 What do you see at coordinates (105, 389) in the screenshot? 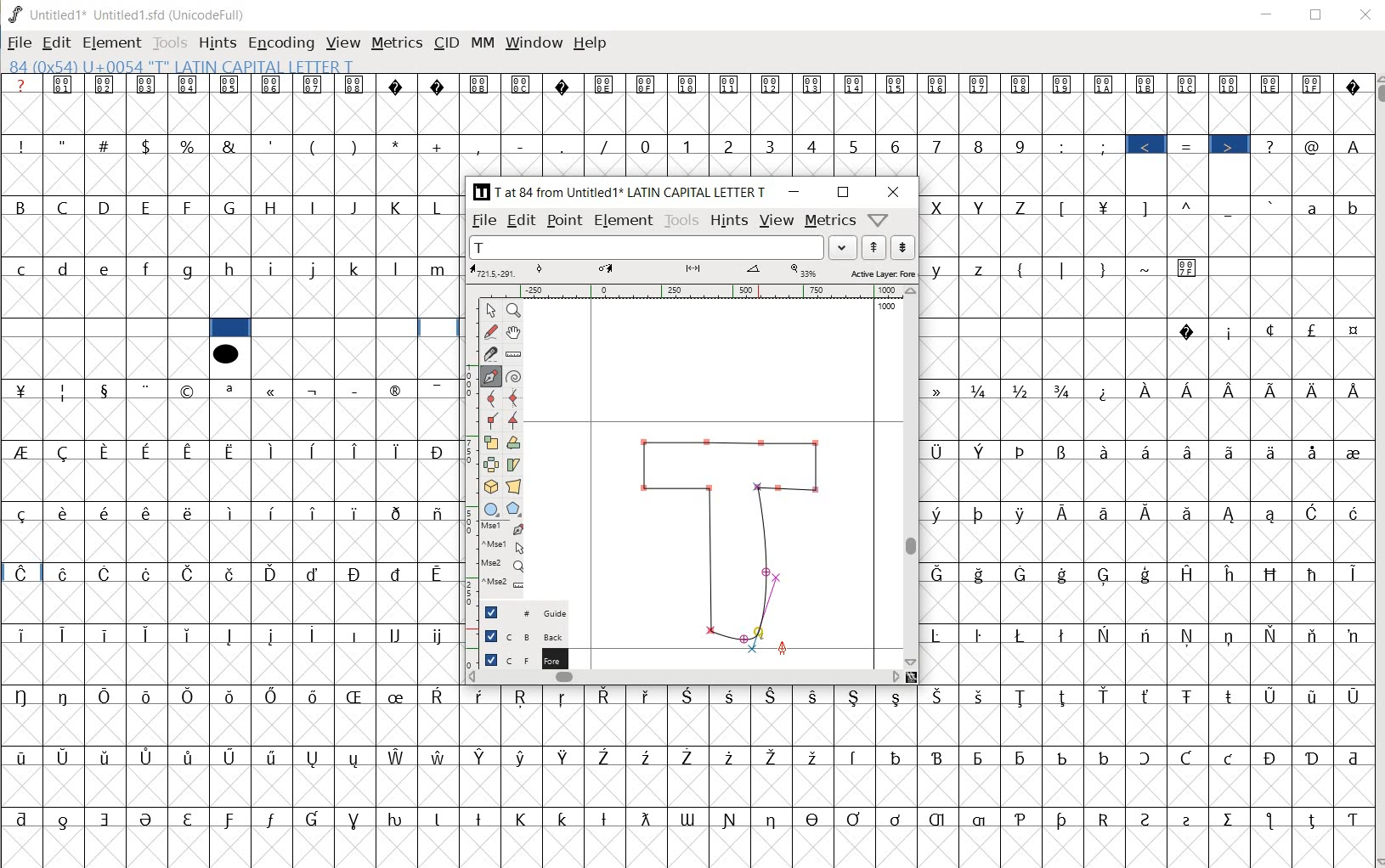
I see `Symbol` at bounding box center [105, 389].